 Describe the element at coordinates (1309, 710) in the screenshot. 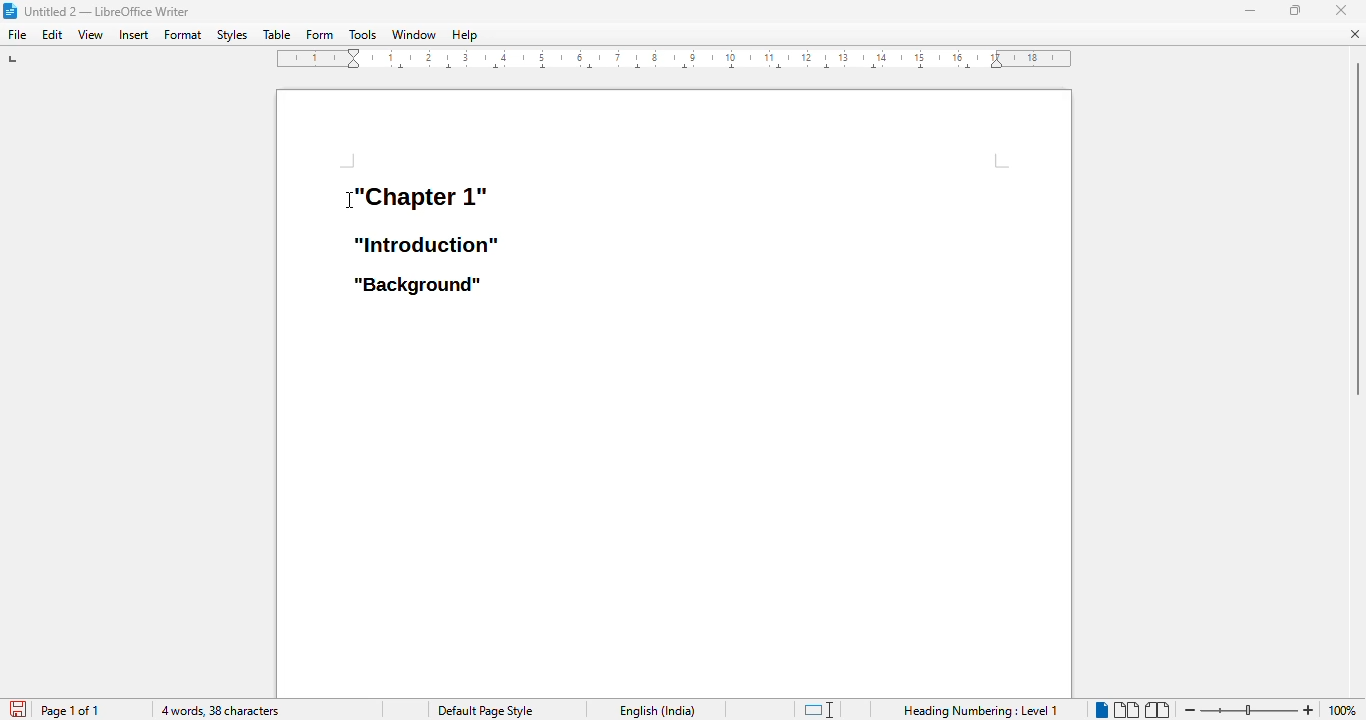

I see `zoom in` at that location.